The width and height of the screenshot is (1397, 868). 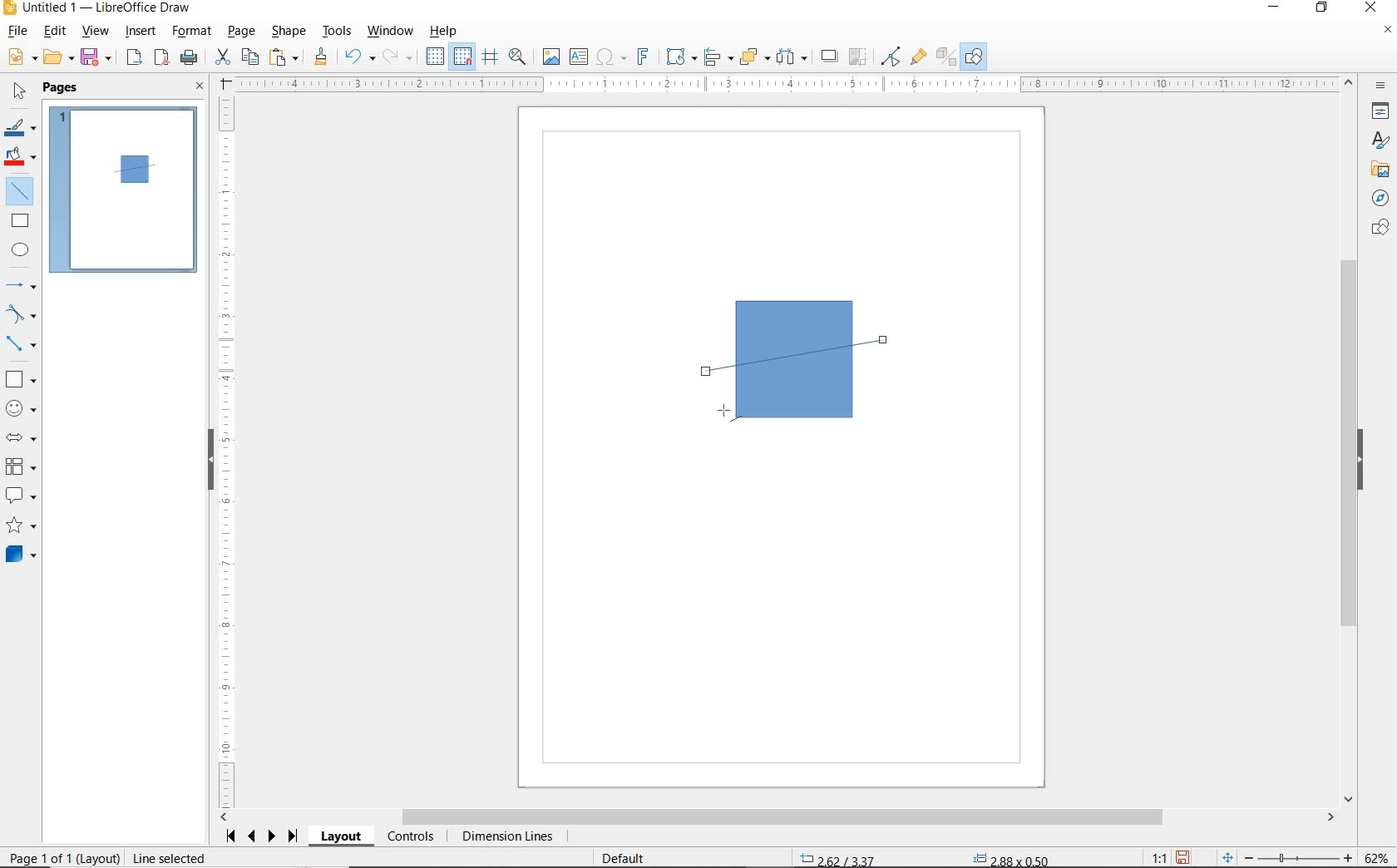 What do you see at coordinates (1288, 855) in the screenshot?
I see `ZOOM OUT OR ZOOM IN` at bounding box center [1288, 855].